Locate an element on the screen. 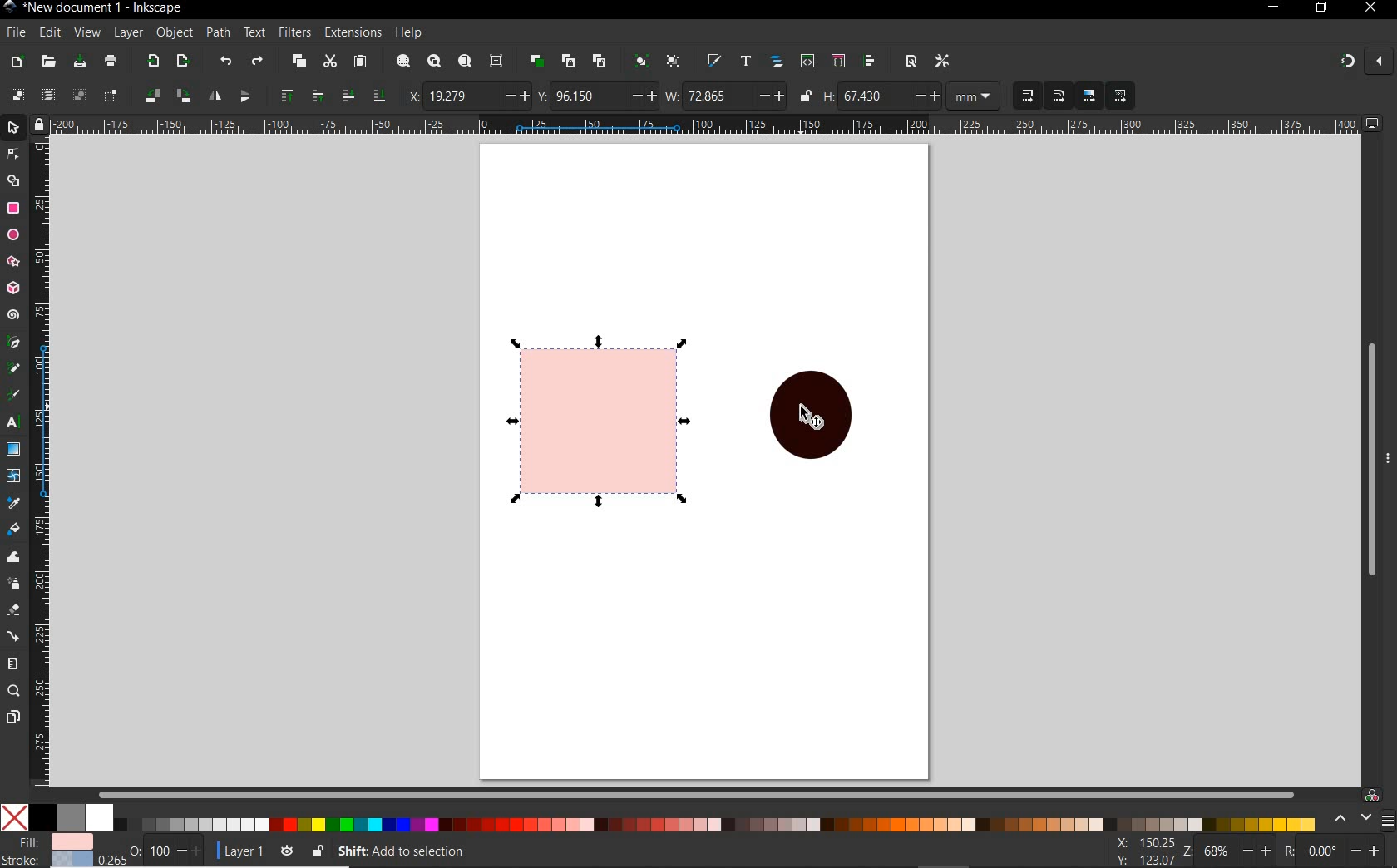 The width and height of the screenshot is (1397, 868). object flip 90 clockwise is located at coordinates (165, 95).